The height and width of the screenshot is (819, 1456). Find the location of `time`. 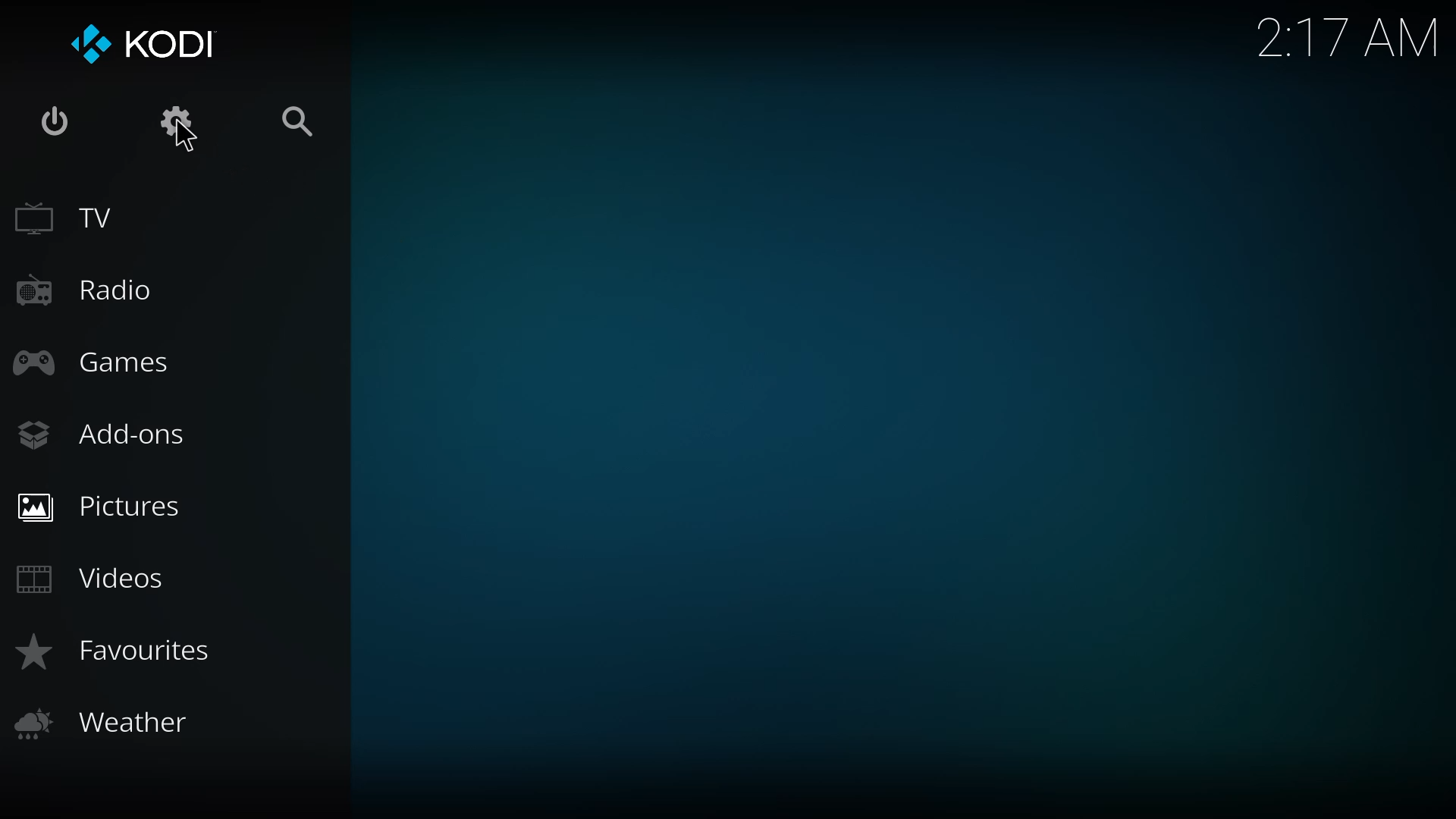

time is located at coordinates (1343, 37).